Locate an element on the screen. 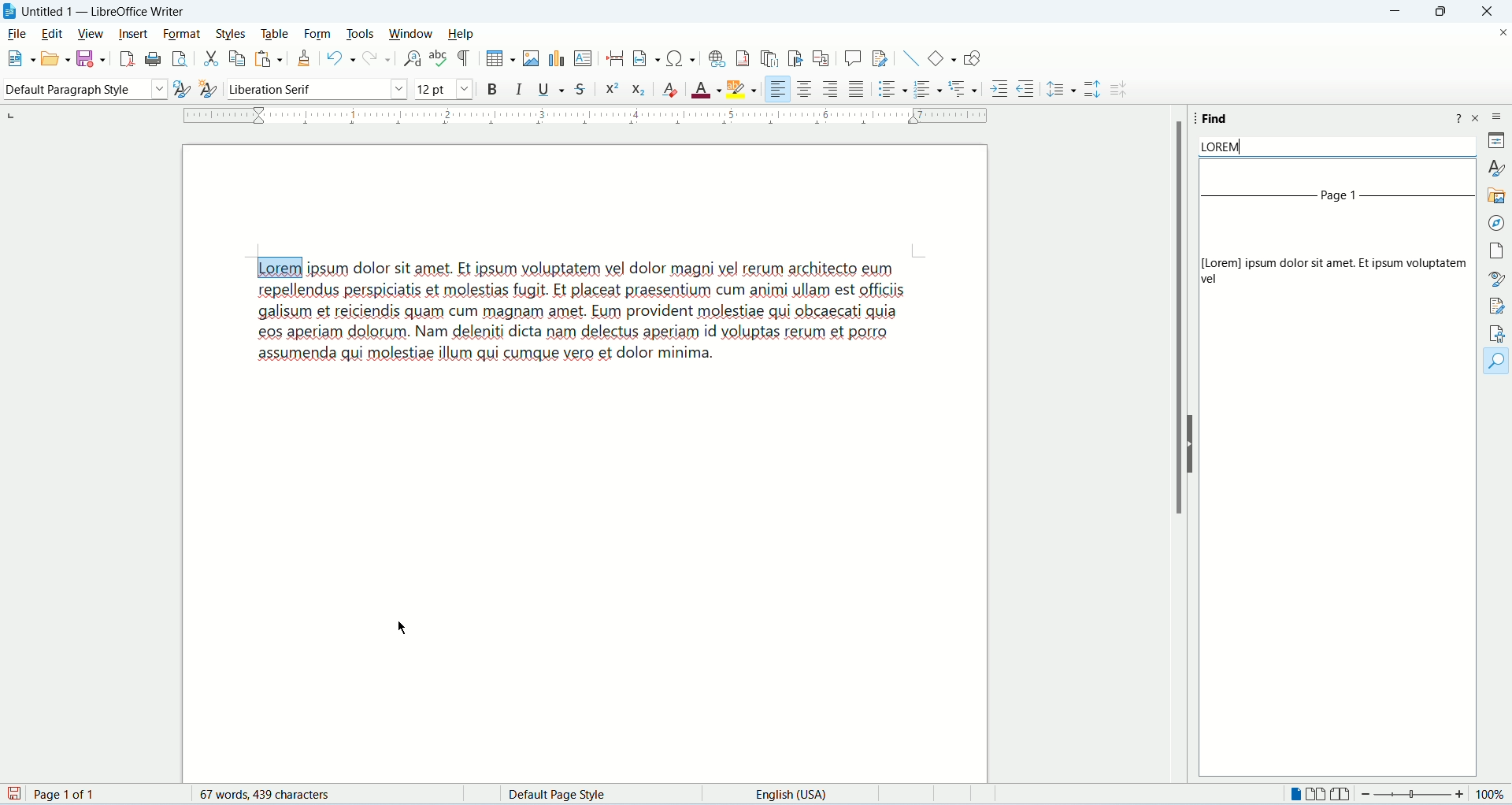 This screenshot has height=805, width=1512. tools is located at coordinates (361, 33).